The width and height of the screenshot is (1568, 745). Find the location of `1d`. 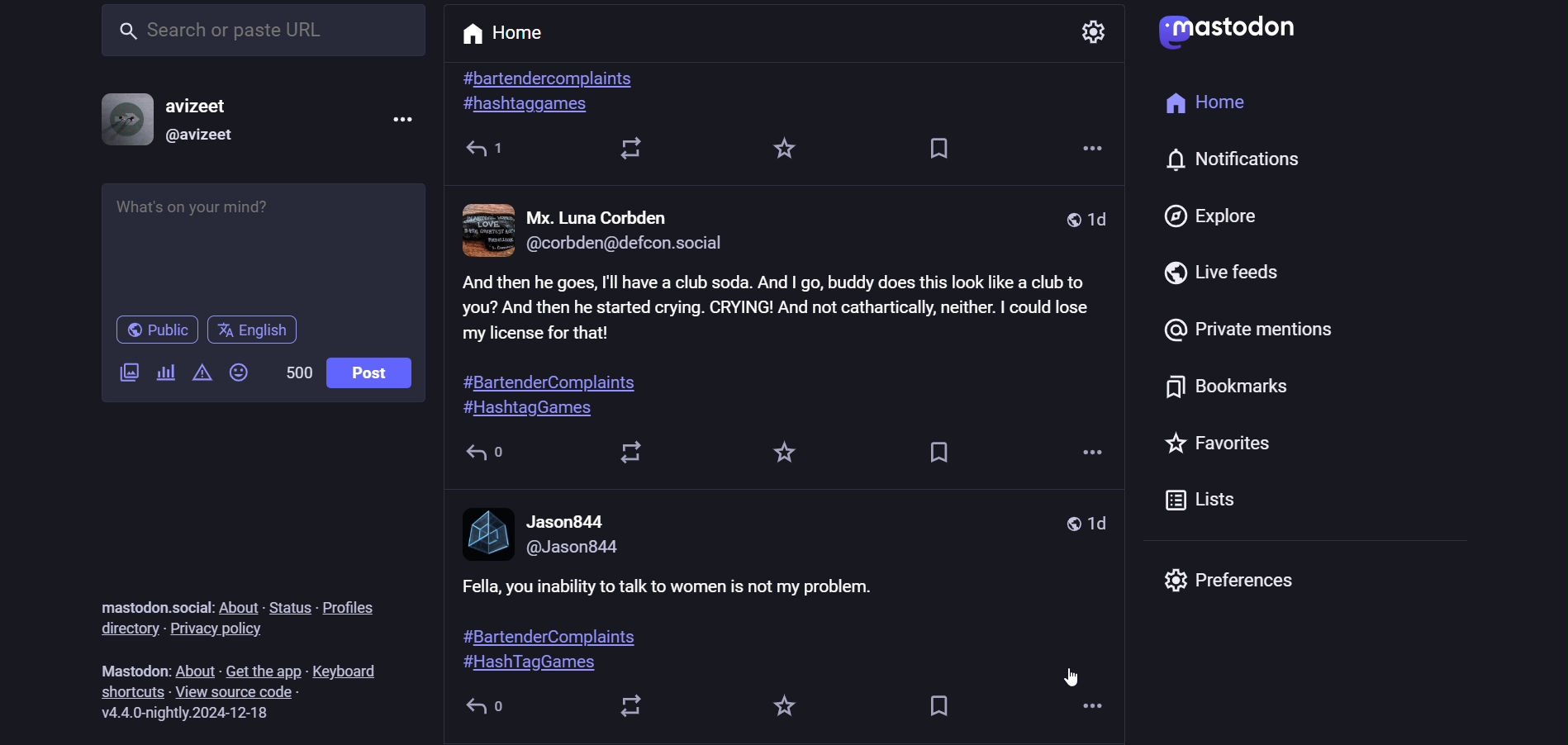

1d is located at coordinates (1084, 524).